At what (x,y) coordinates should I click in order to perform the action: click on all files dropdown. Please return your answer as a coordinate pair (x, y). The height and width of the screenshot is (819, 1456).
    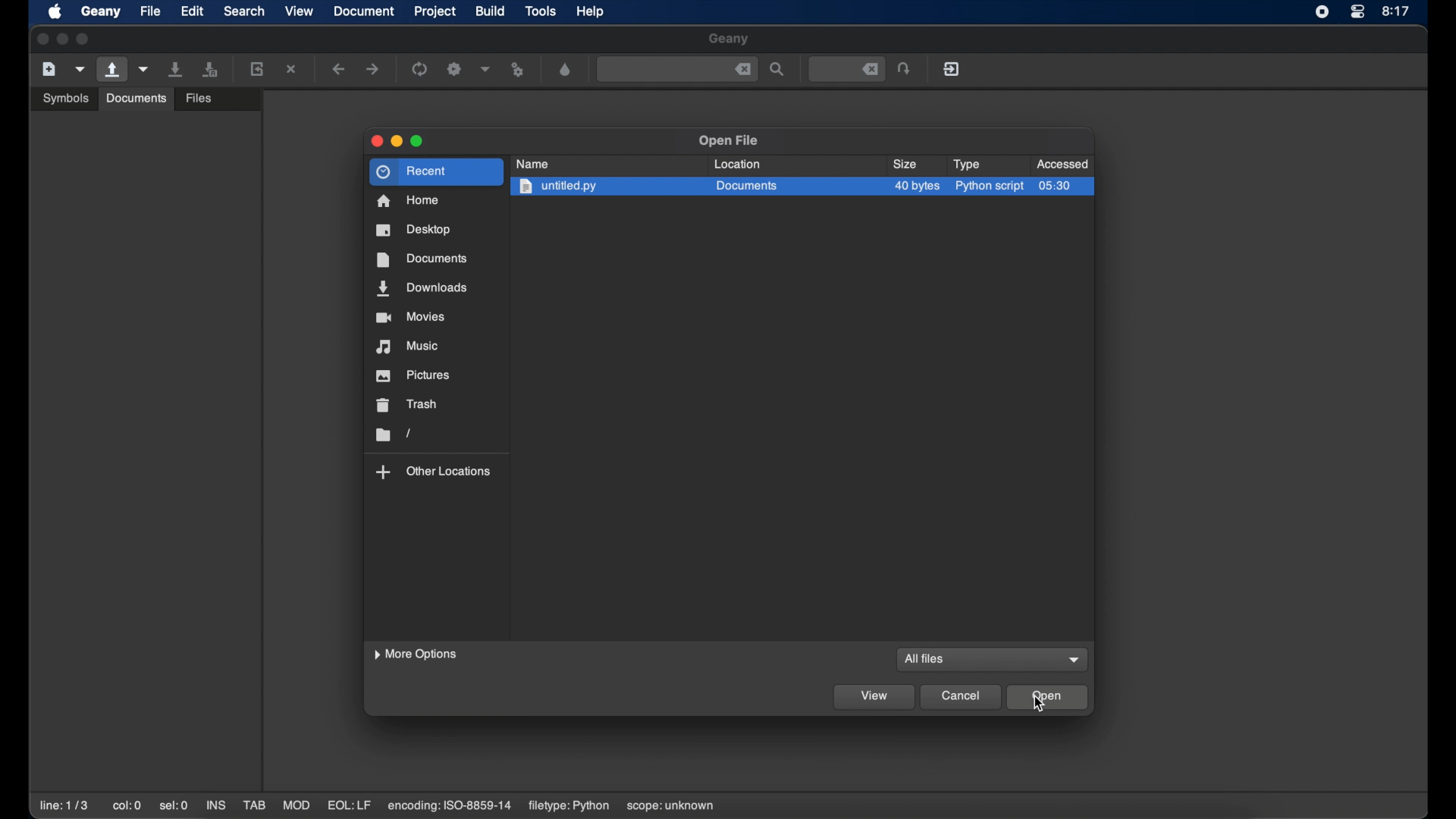
    Looking at the image, I should click on (1075, 661).